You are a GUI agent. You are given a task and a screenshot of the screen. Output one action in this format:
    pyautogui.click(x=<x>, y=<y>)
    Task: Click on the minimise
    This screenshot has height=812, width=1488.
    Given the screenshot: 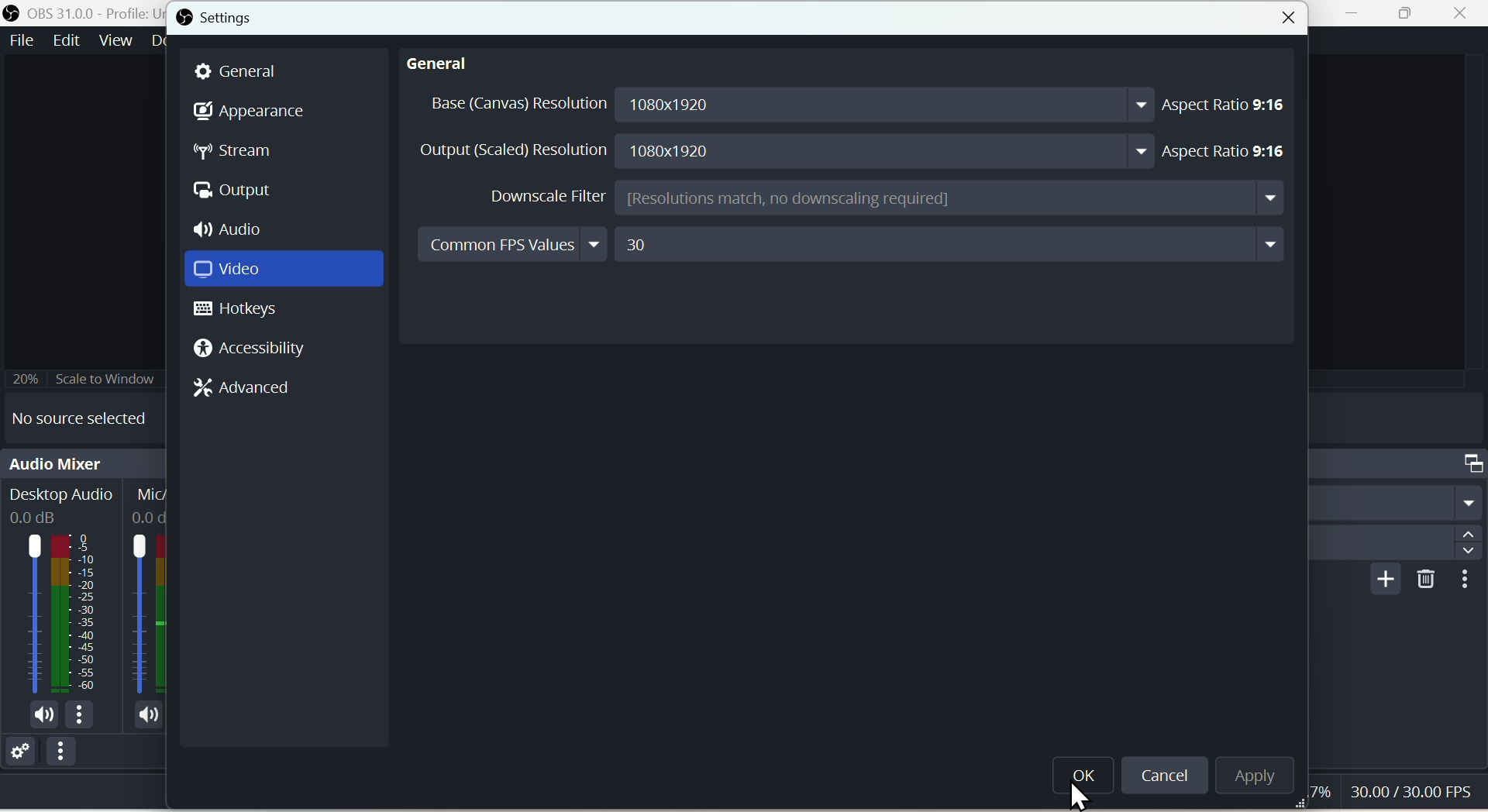 What is the action you would take?
    pyautogui.click(x=1357, y=15)
    